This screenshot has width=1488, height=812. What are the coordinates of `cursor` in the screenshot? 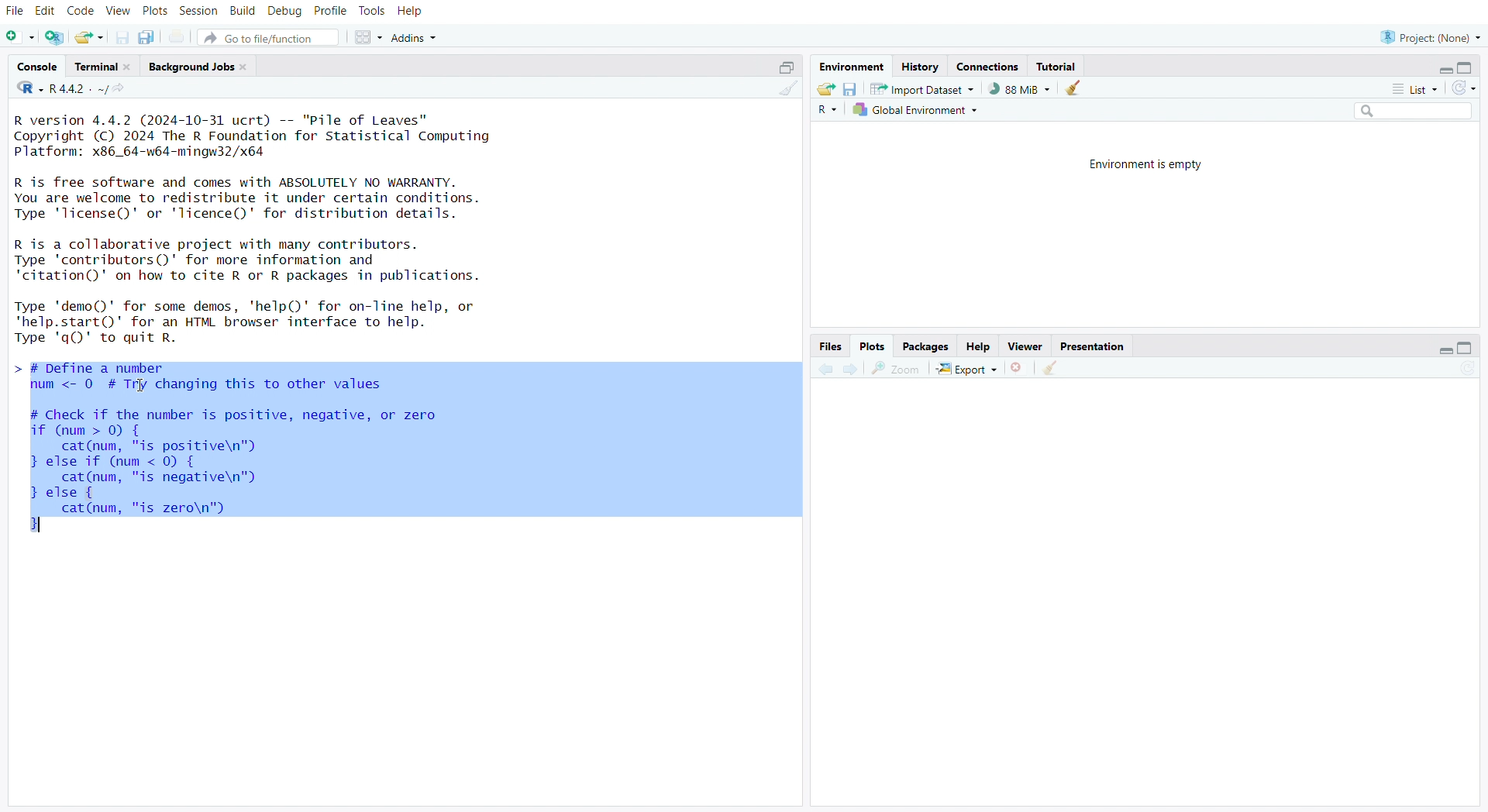 It's located at (140, 387).